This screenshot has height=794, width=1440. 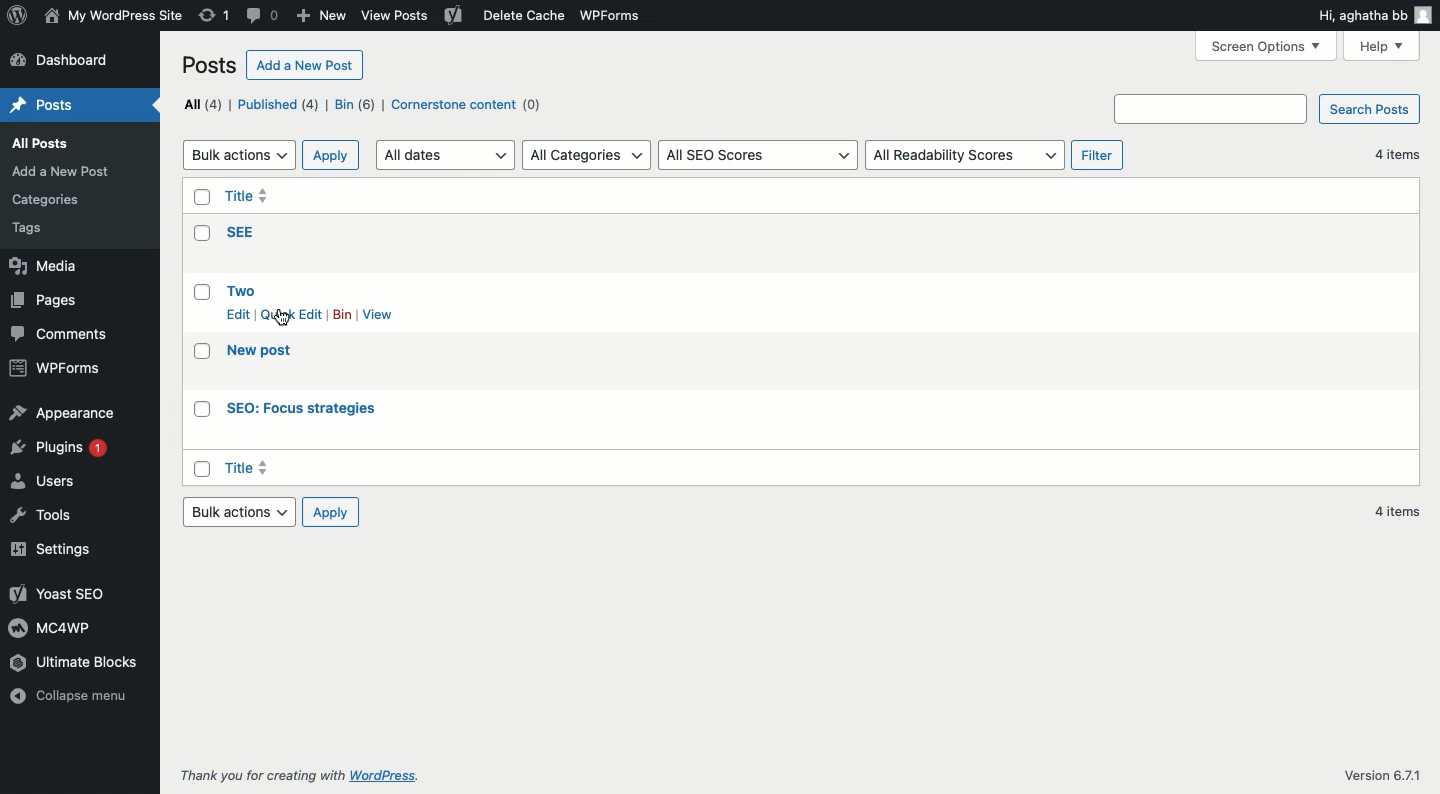 What do you see at coordinates (47, 268) in the screenshot?
I see `Media` at bounding box center [47, 268].